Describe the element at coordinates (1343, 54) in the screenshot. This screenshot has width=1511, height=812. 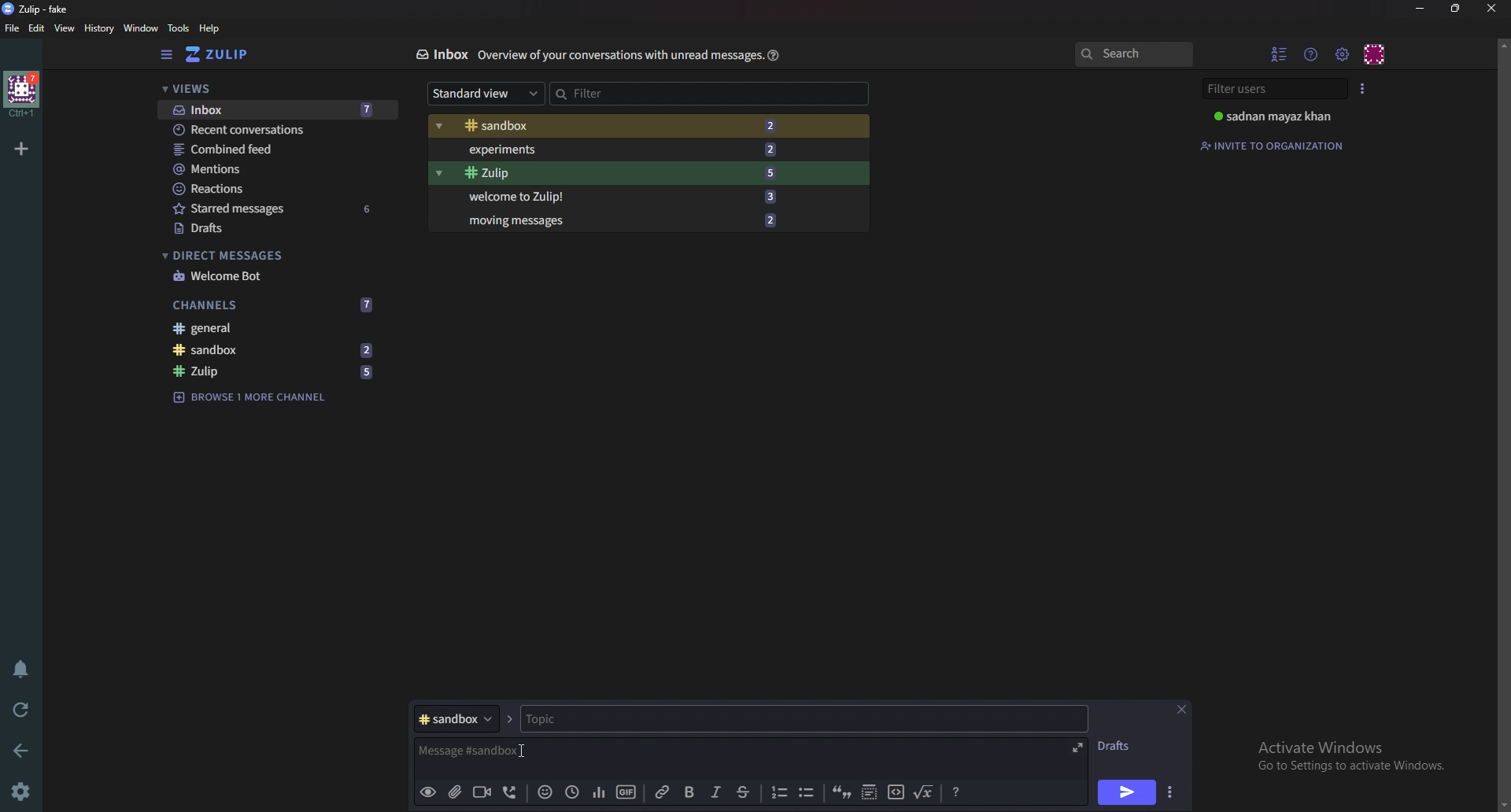
I see `main menu` at that location.